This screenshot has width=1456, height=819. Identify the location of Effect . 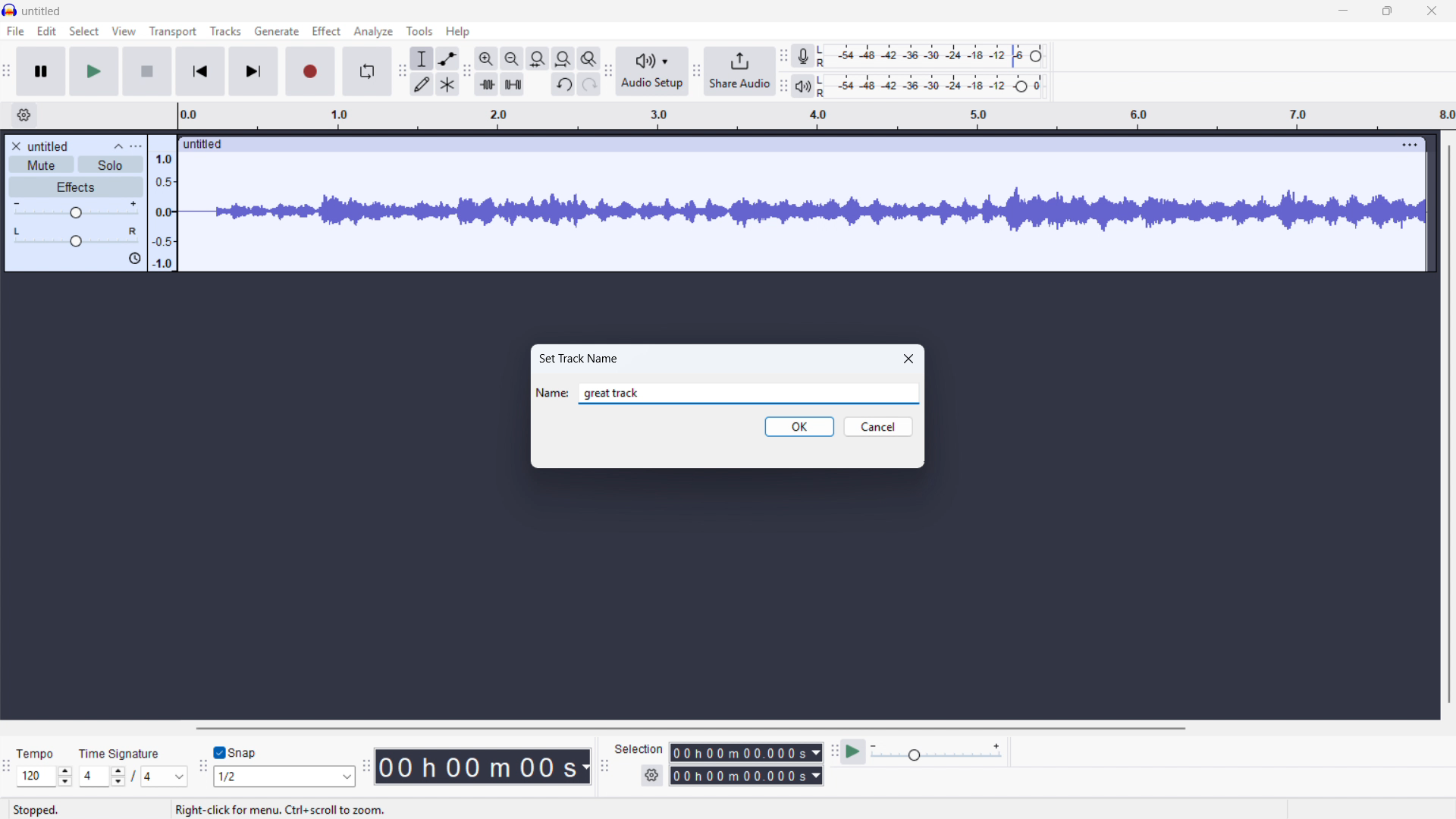
(326, 31).